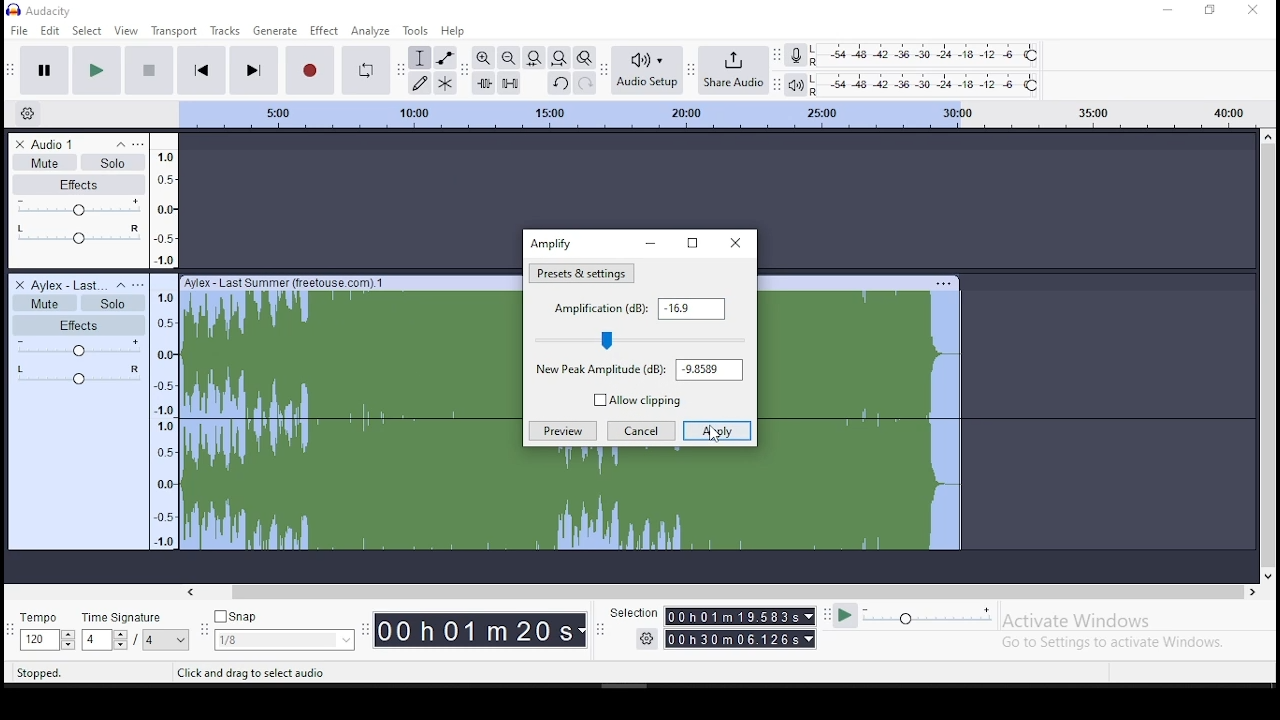 This screenshot has height=720, width=1280. What do you see at coordinates (647, 243) in the screenshot?
I see `minimize` at bounding box center [647, 243].